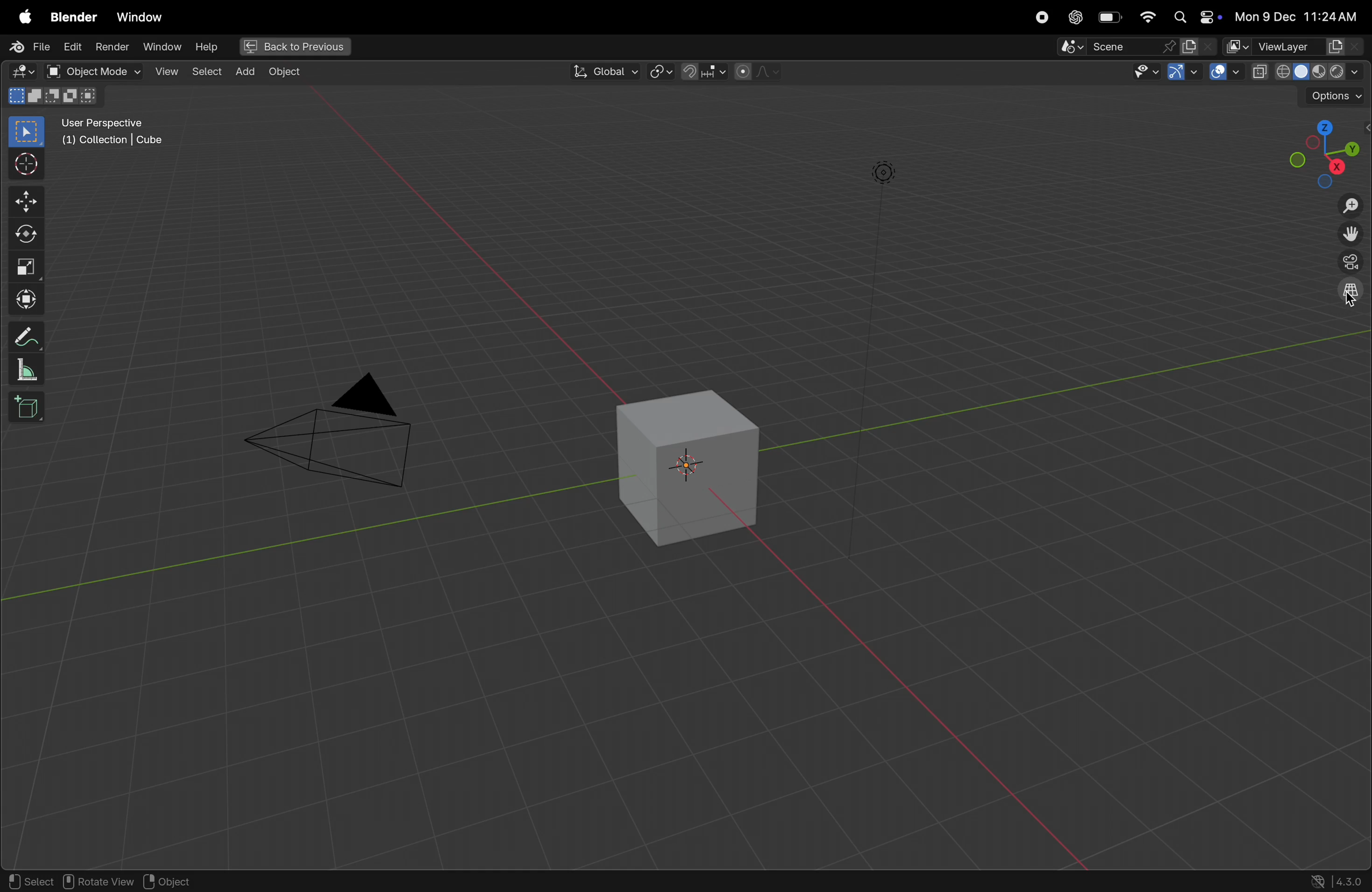  I want to click on scale, so click(29, 266).